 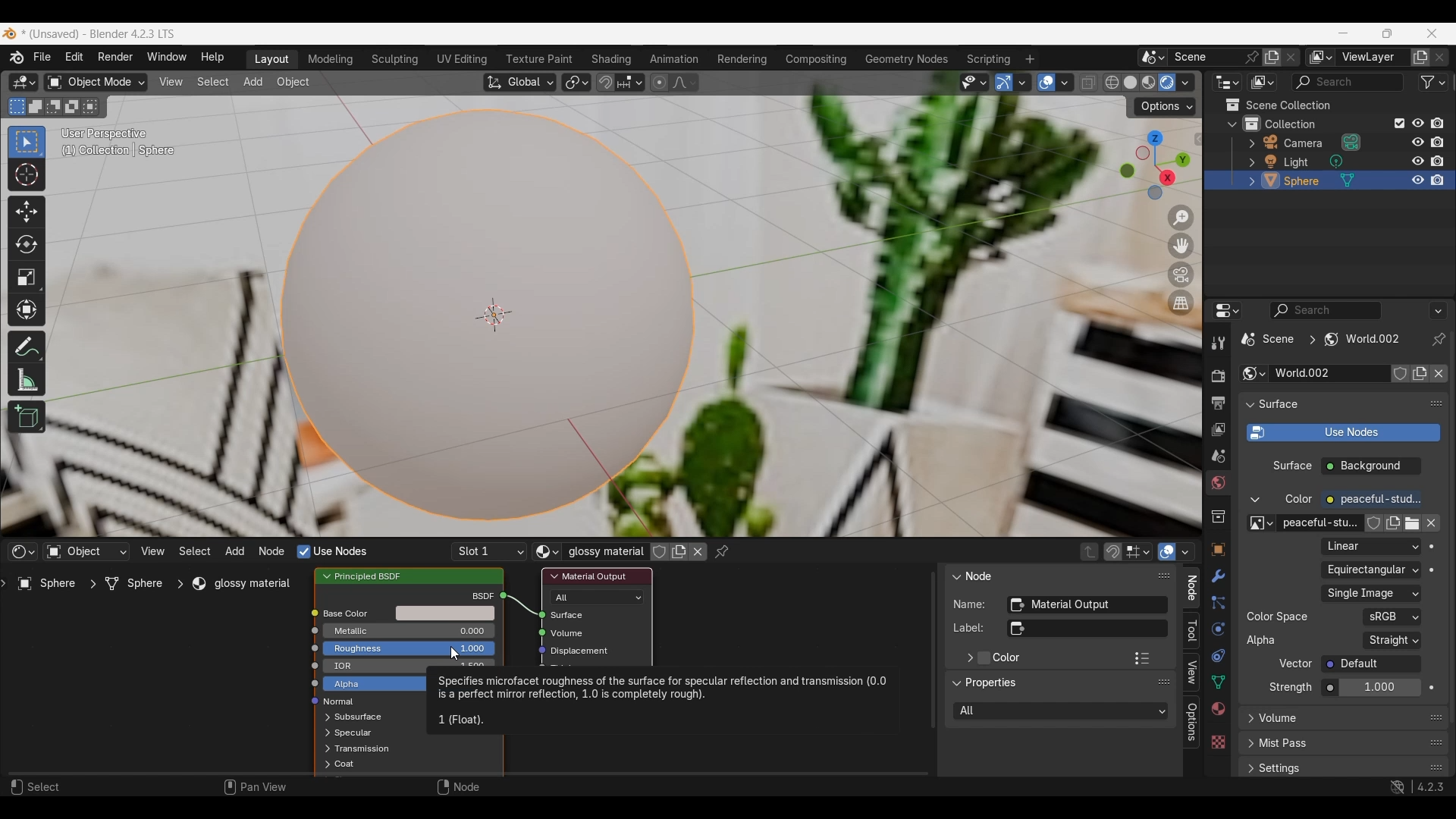 What do you see at coordinates (356, 614) in the screenshot?
I see `Base color` at bounding box center [356, 614].